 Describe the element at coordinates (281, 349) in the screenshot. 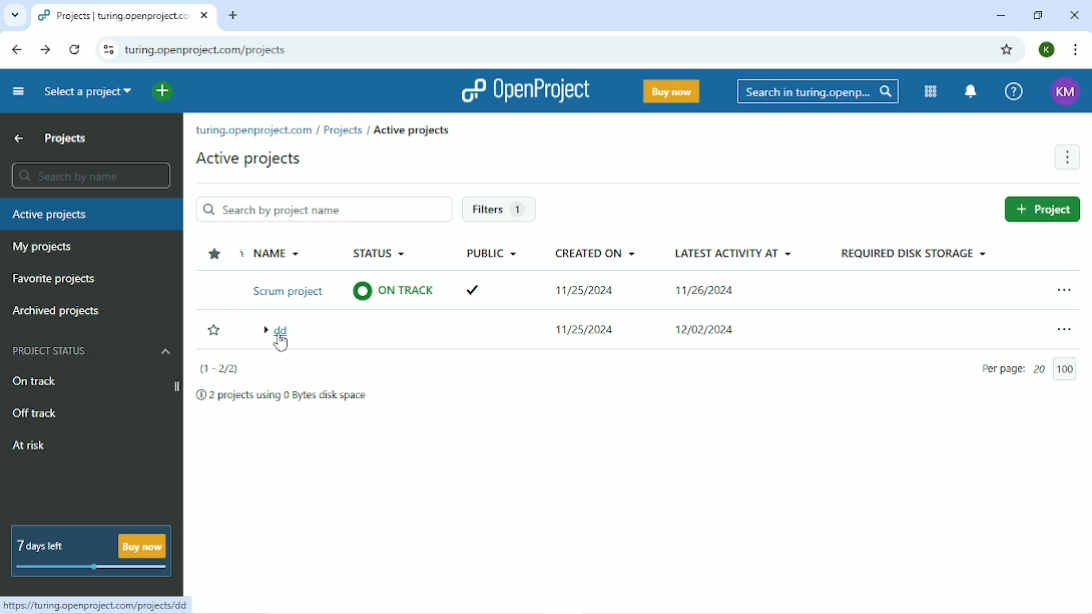

I see `cursor` at that location.